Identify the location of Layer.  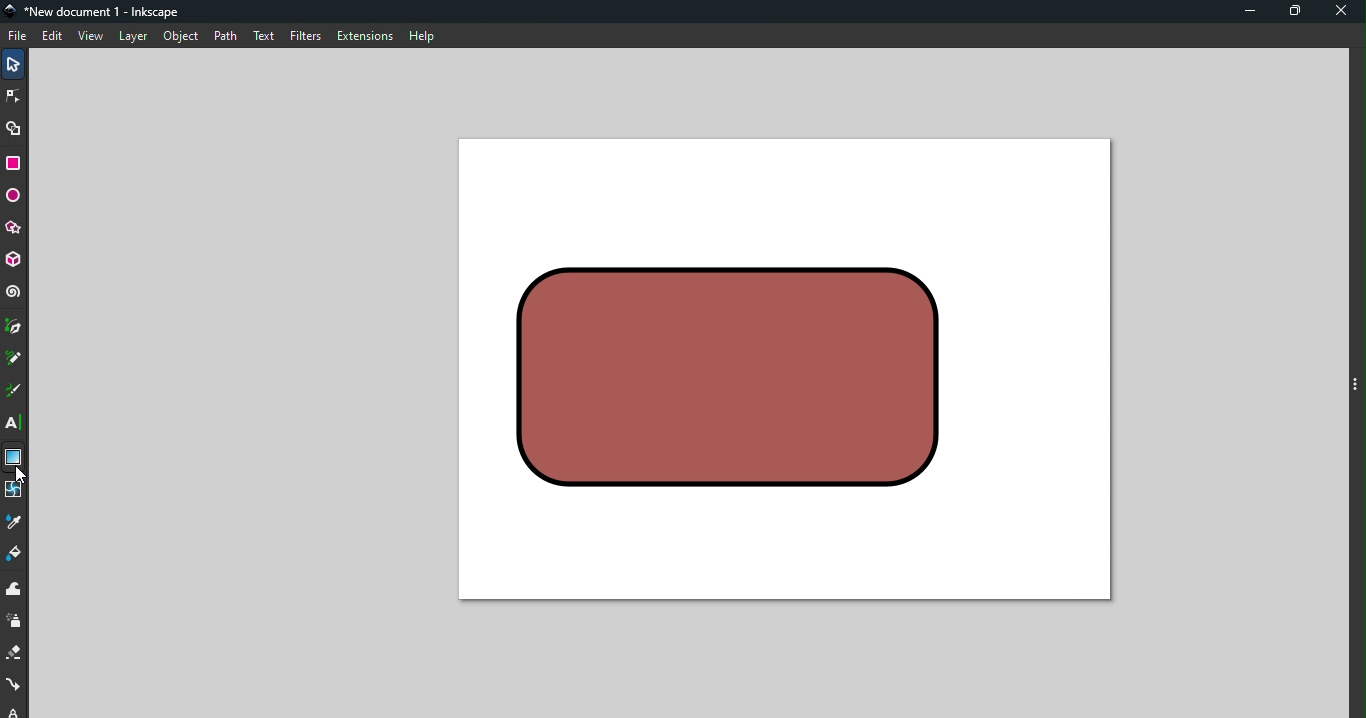
(133, 37).